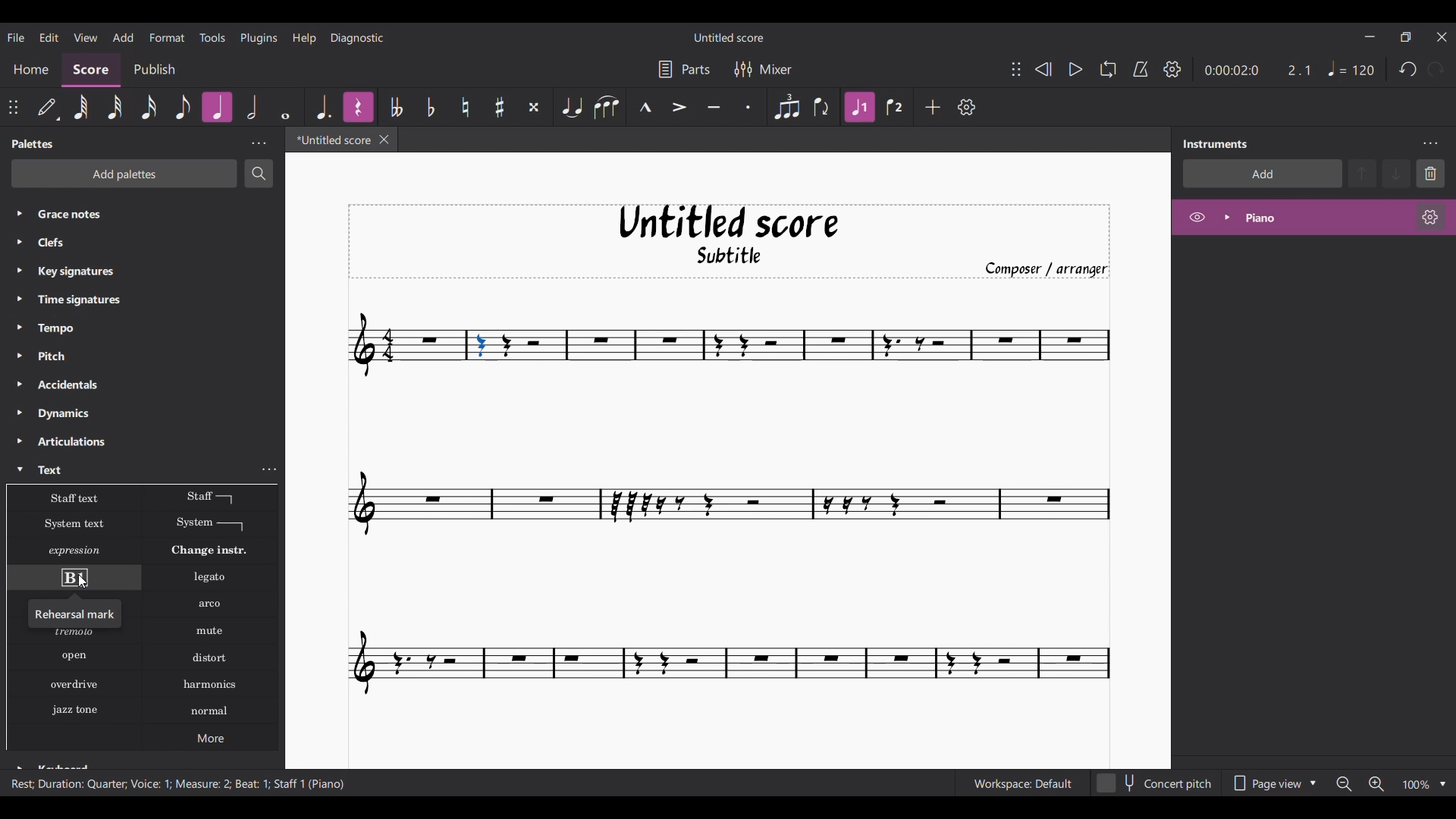 The width and height of the screenshot is (1456, 819). Describe the element at coordinates (571, 107) in the screenshot. I see `Tie` at that location.